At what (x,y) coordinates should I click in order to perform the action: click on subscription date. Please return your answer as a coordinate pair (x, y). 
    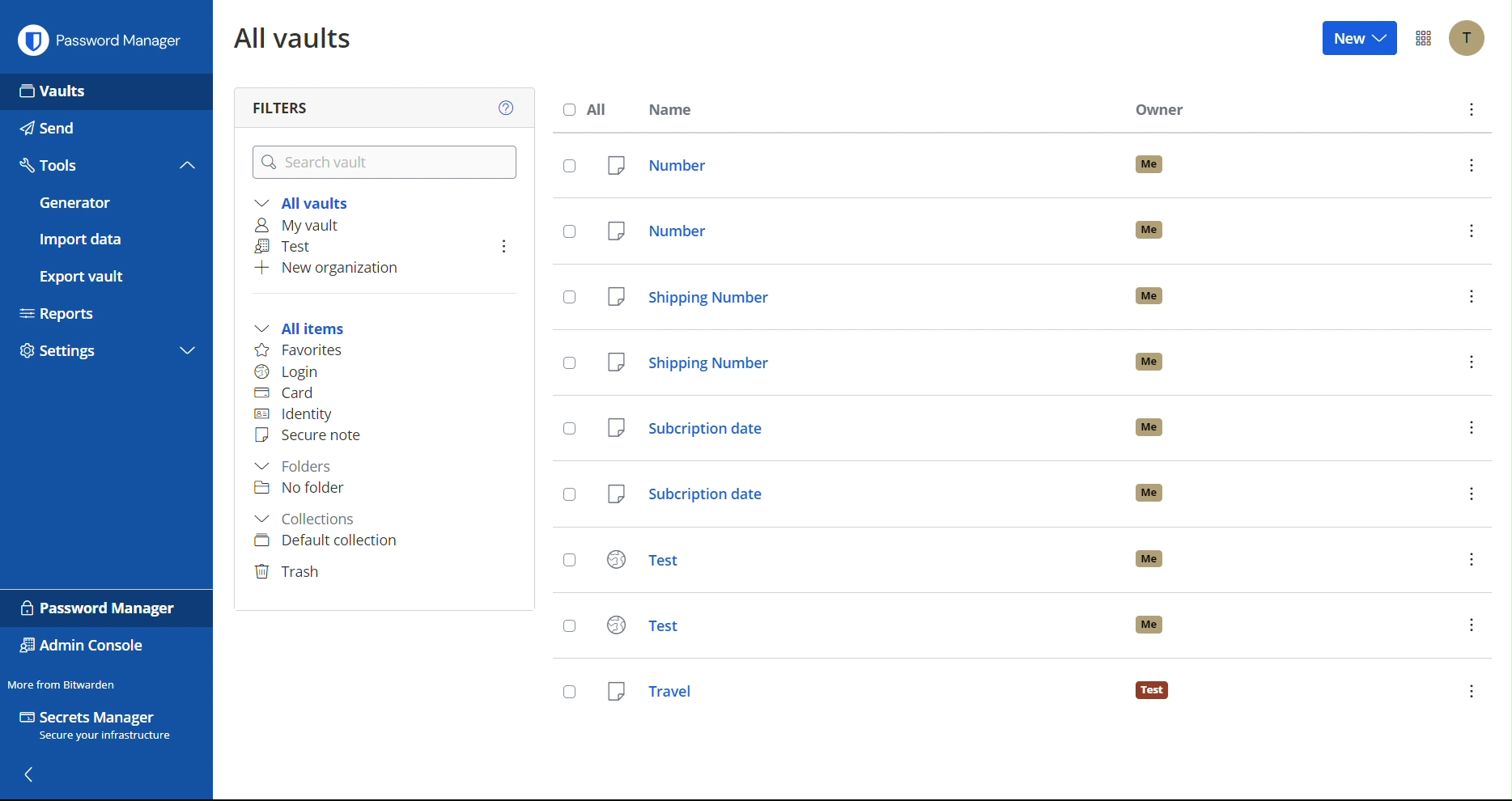
    Looking at the image, I should click on (850, 495).